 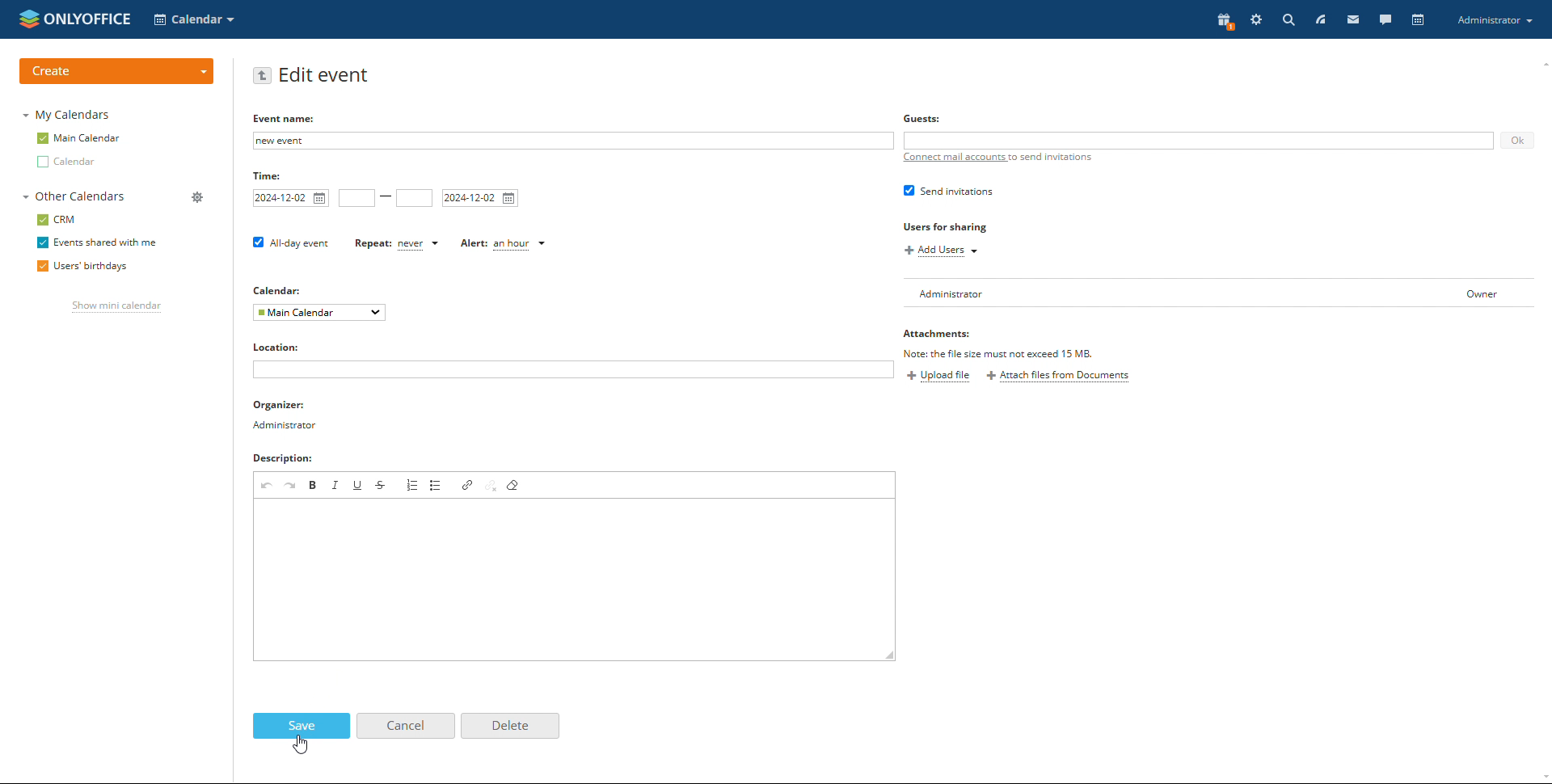 I want to click on redo, so click(x=289, y=484).